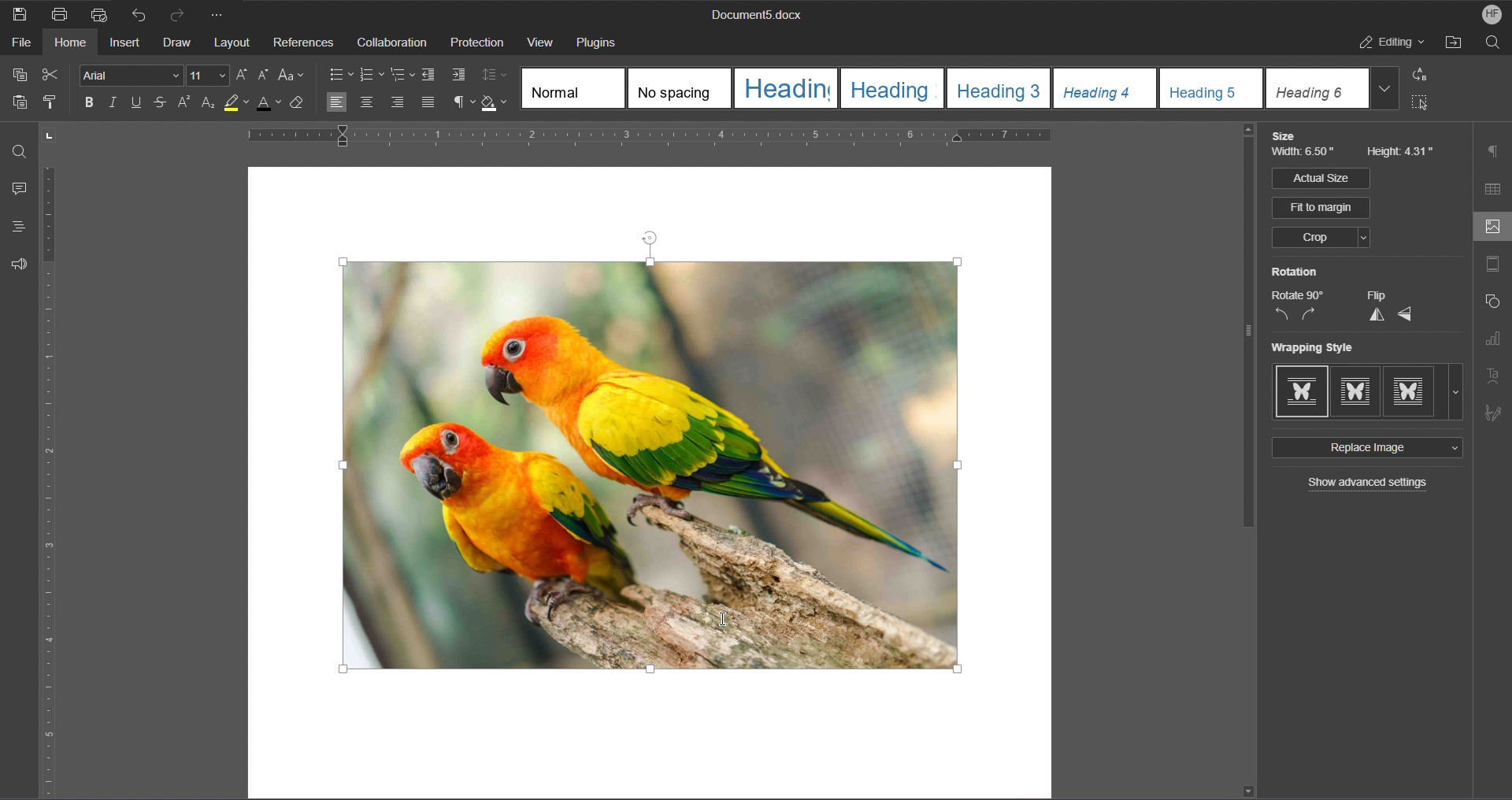 Image resolution: width=1512 pixels, height=800 pixels. What do you see at coordinates (20, 151) in the screenshot?
I see `Find` at bounding box center [20, 151].